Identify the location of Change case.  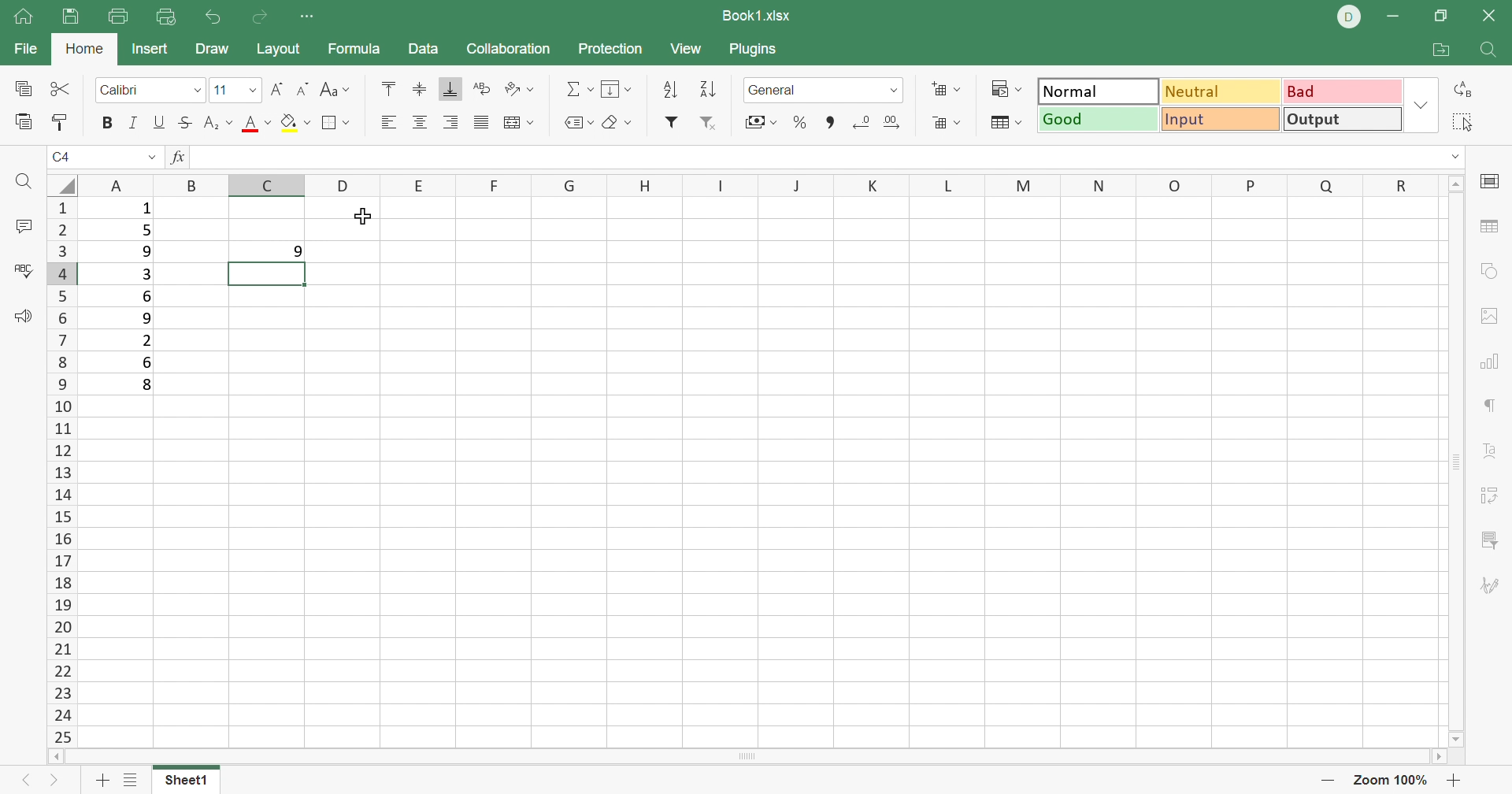
(337, 91).